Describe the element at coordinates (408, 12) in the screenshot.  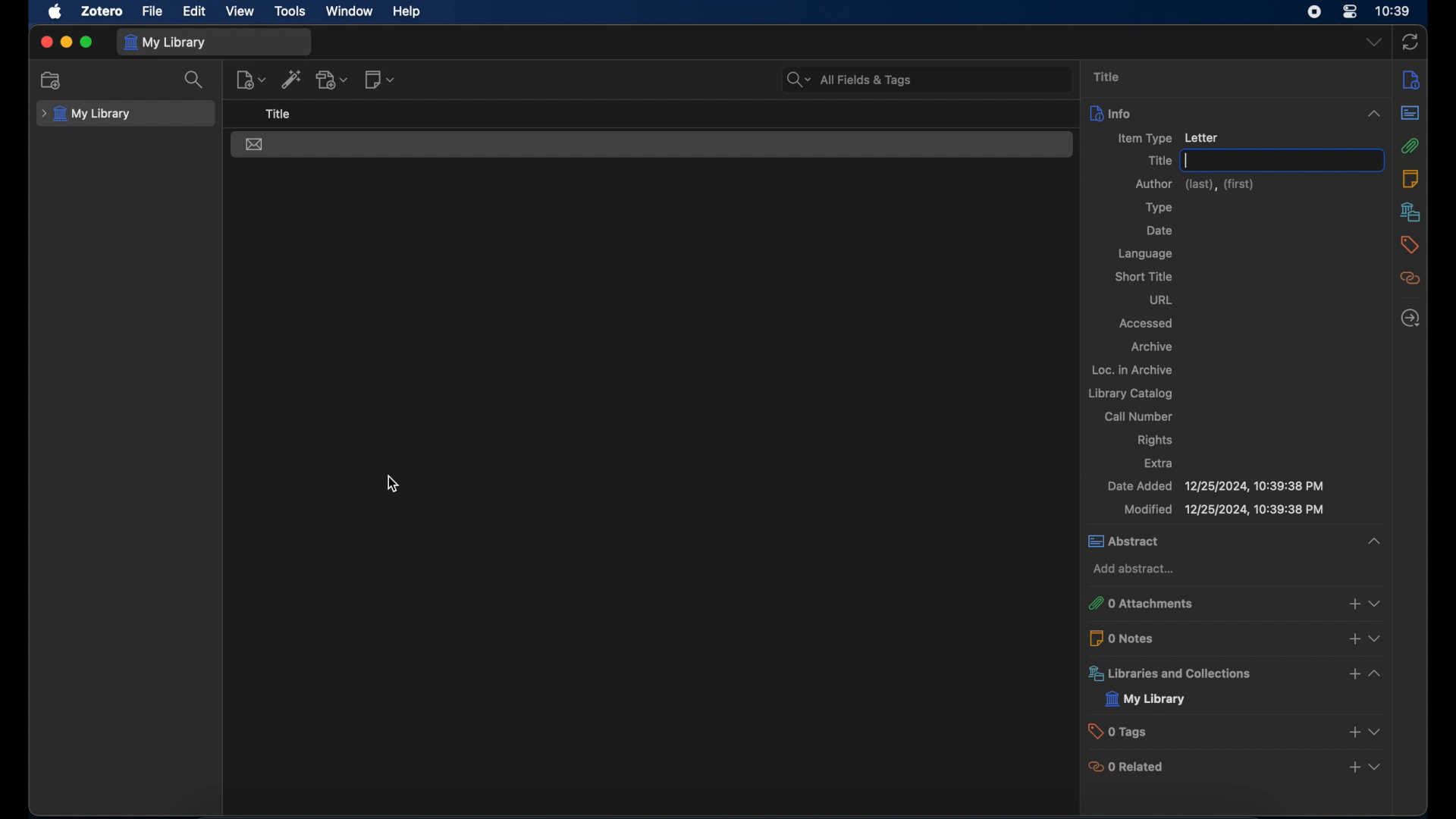
I see `help` at that location.